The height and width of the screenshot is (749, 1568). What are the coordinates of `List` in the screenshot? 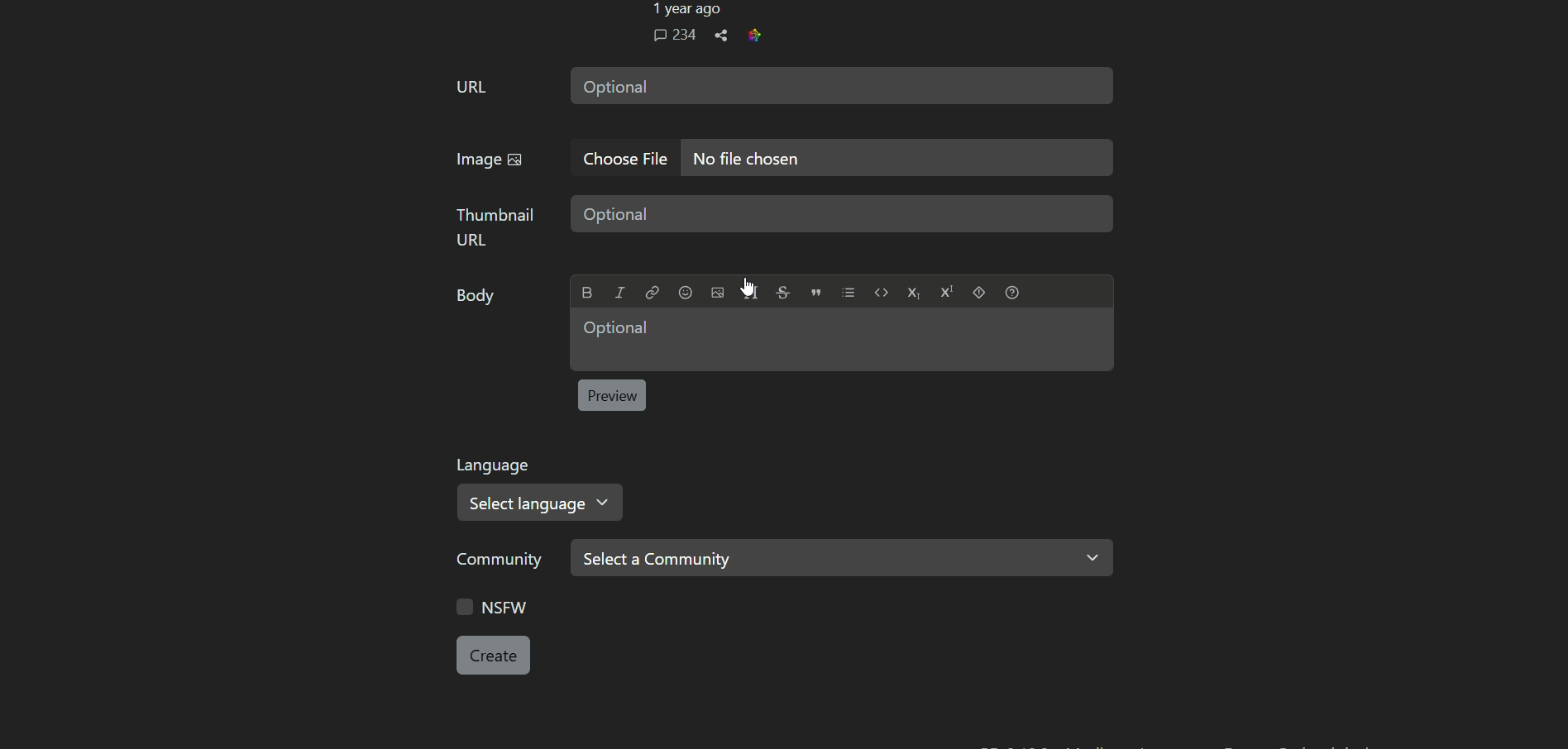 It's located at (849, 293).